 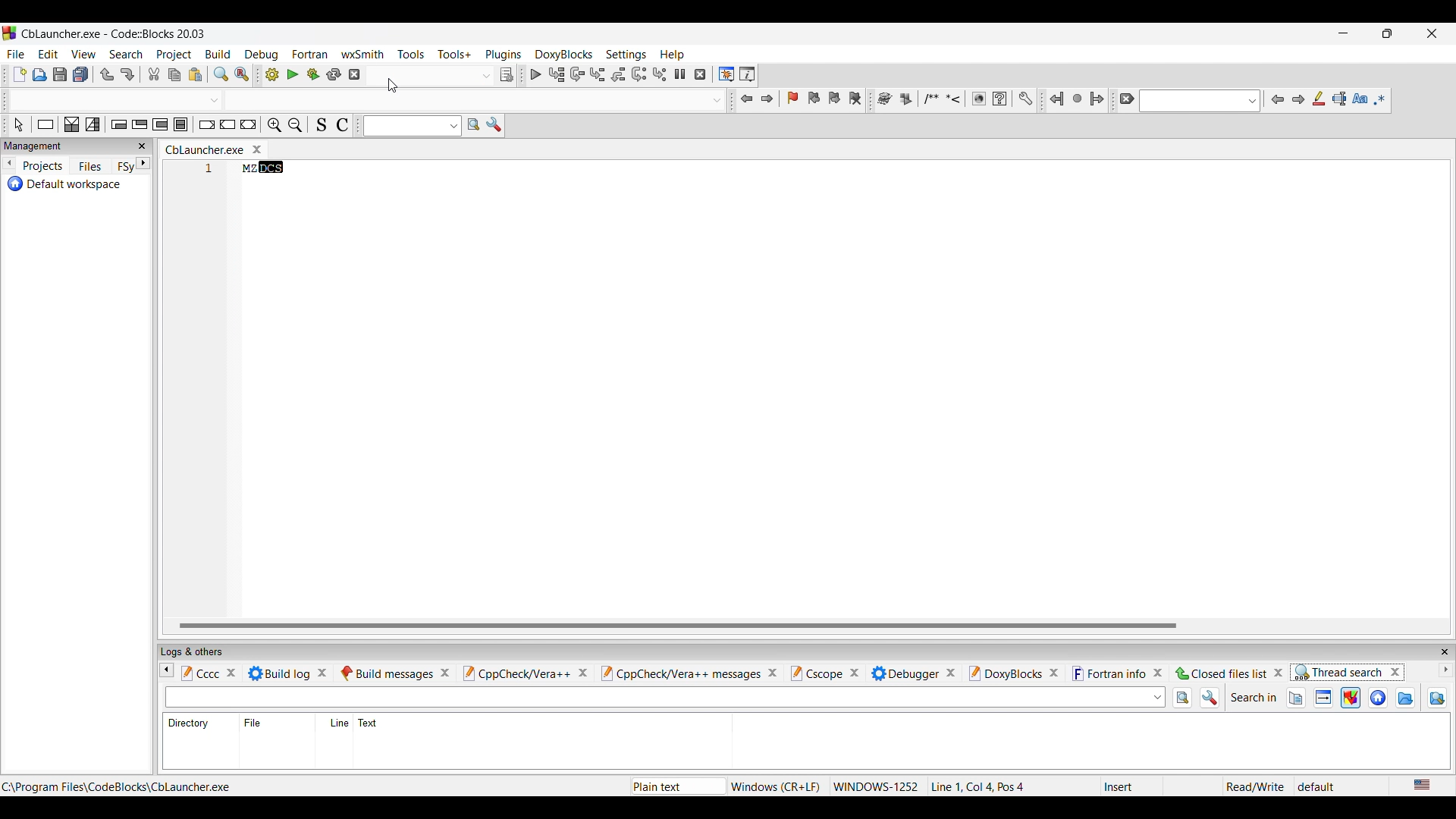 I want to click on Step info, so click(x=598, y=74).